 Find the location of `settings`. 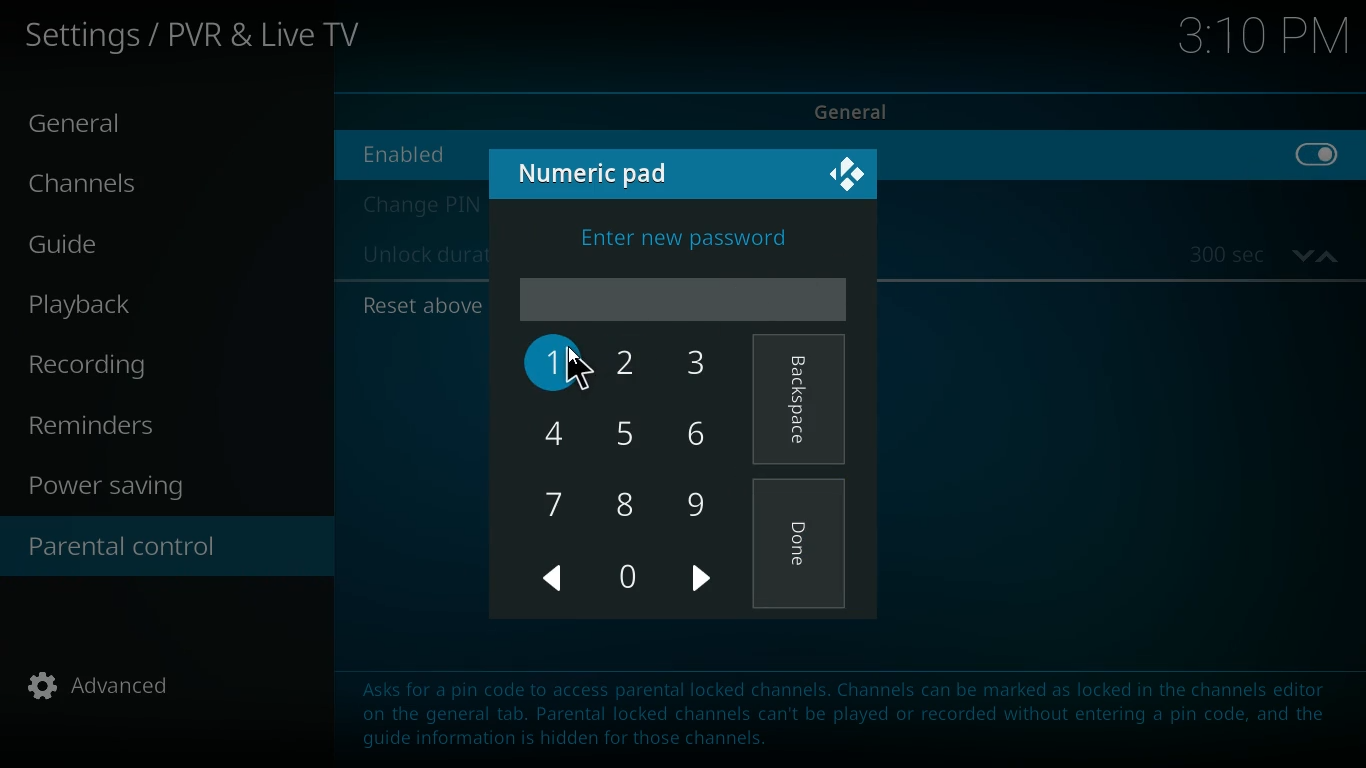

settings is located at coordinates (198, 39).